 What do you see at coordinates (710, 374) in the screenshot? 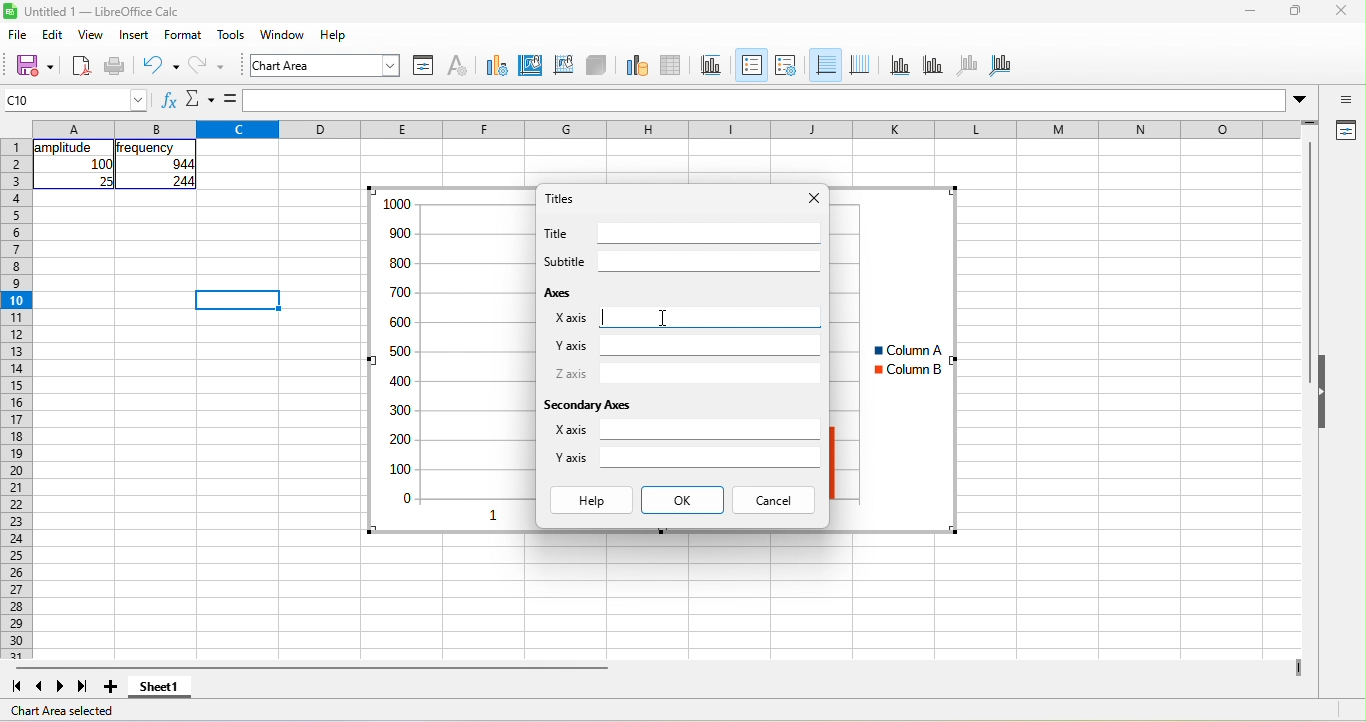
I see `Input for z axis` at bounding box center [710, 374].